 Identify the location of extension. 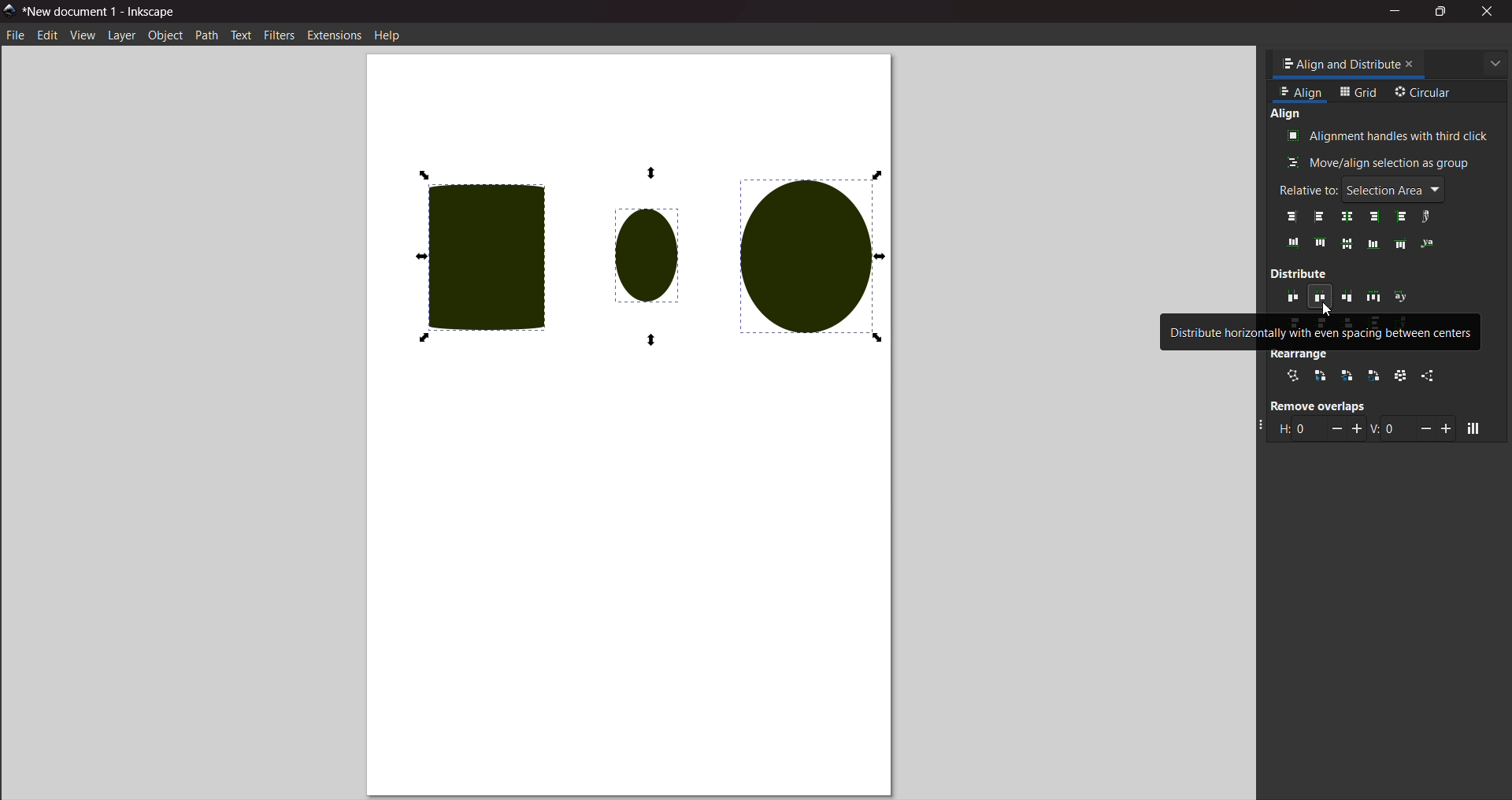
(334, 35).